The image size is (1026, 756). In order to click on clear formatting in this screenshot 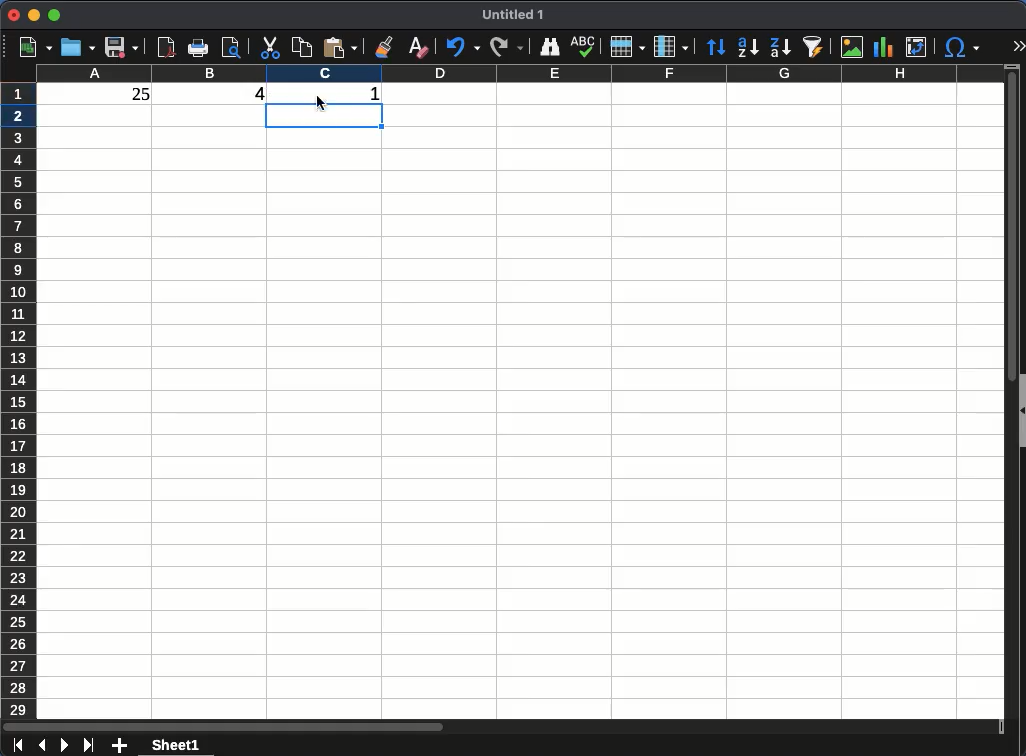, I will do `click(420, 47)`.